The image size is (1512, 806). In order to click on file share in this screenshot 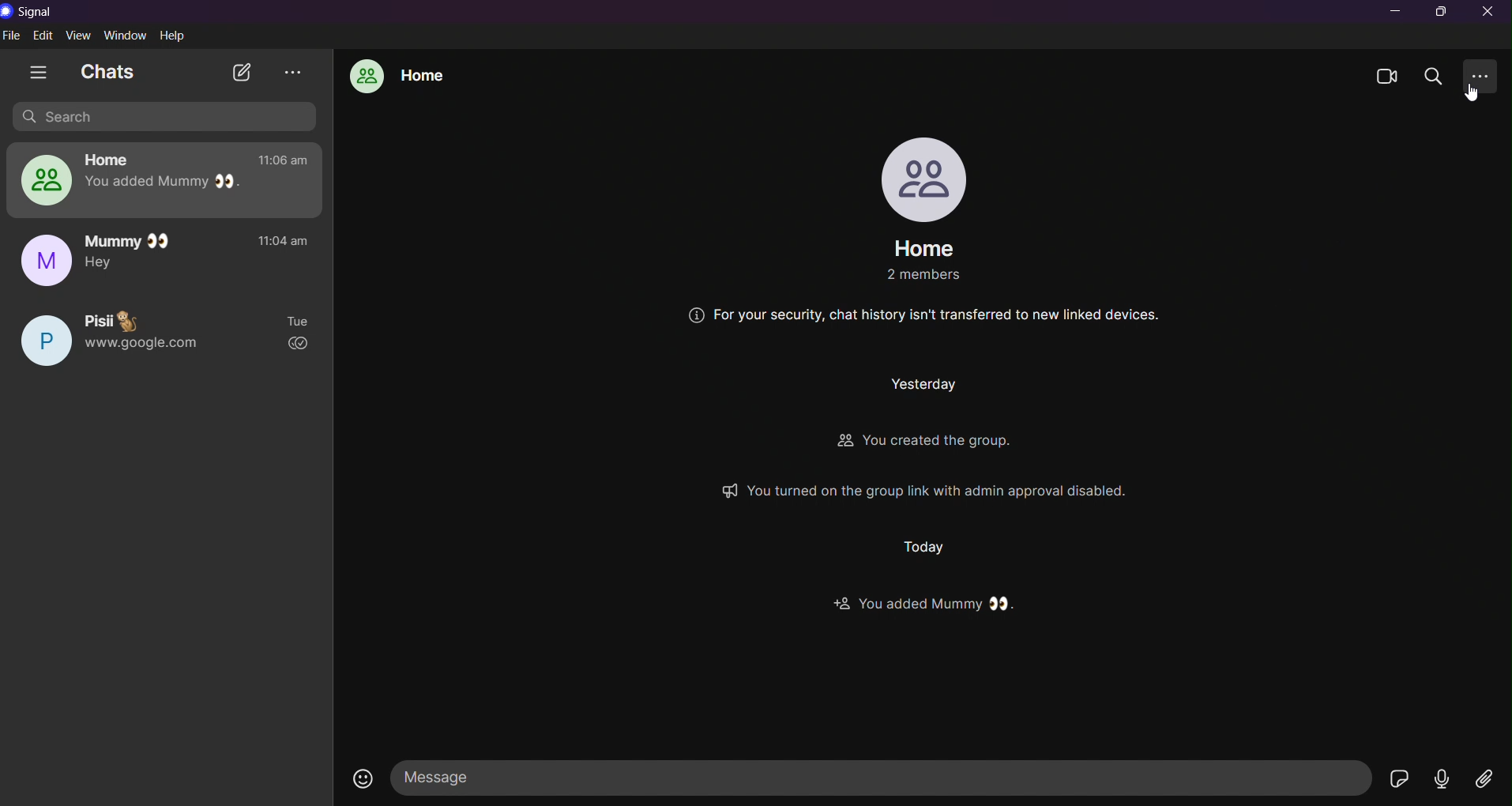, I will do `click(1480, 777)`.